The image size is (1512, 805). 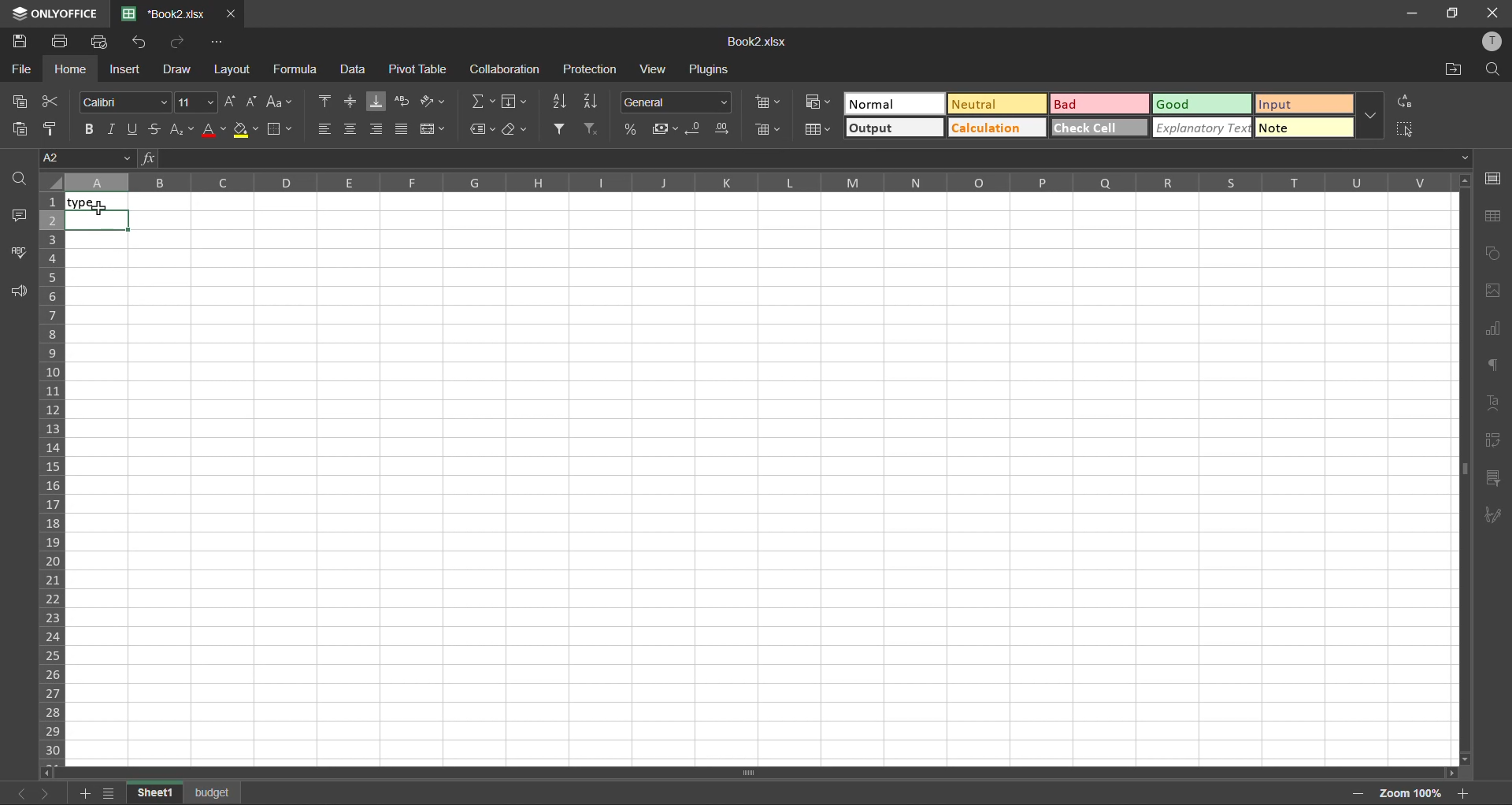 I want to click on percent, so click(x=632, y=128).